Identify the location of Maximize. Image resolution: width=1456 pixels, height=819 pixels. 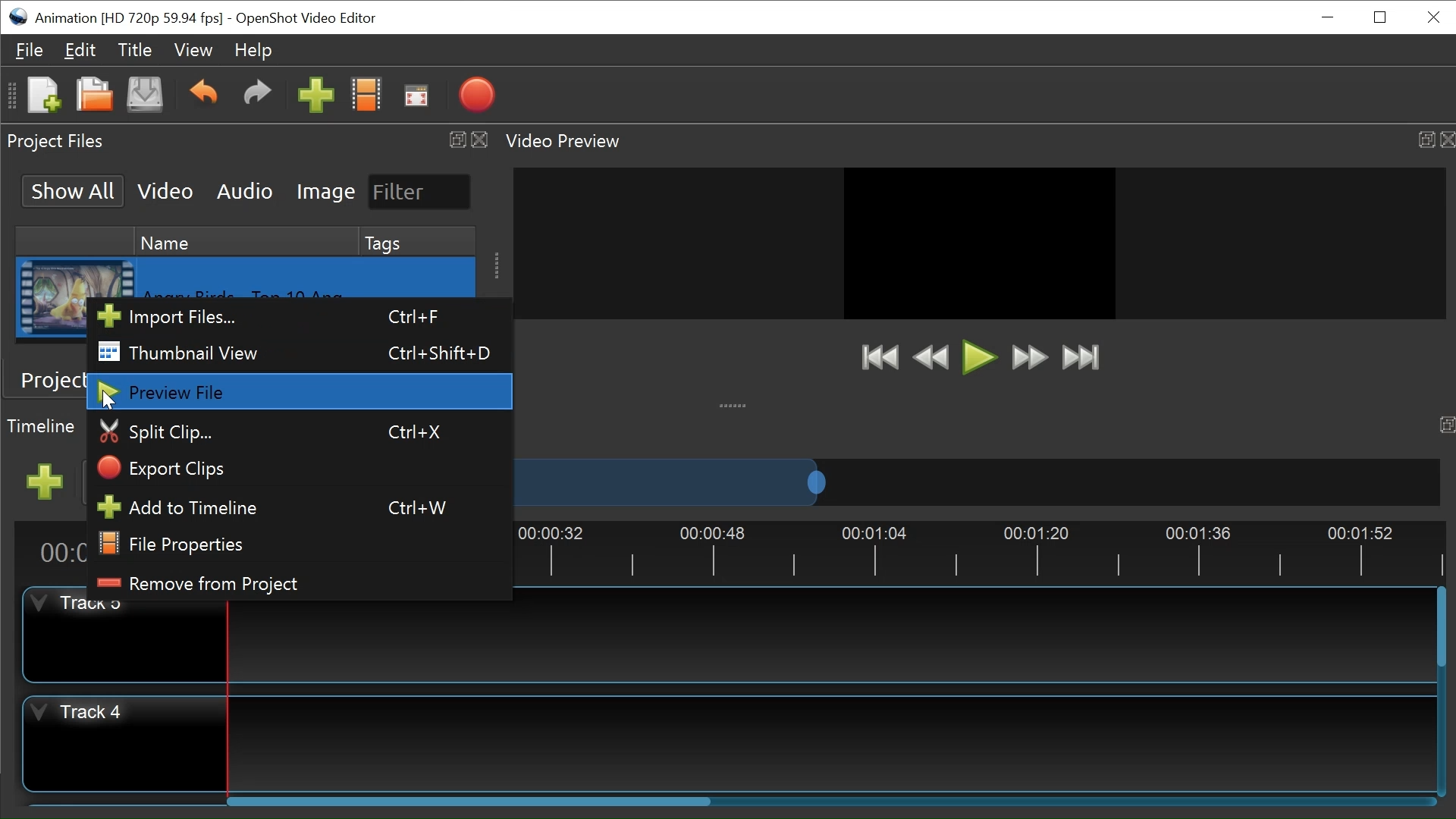
(1445, 424).